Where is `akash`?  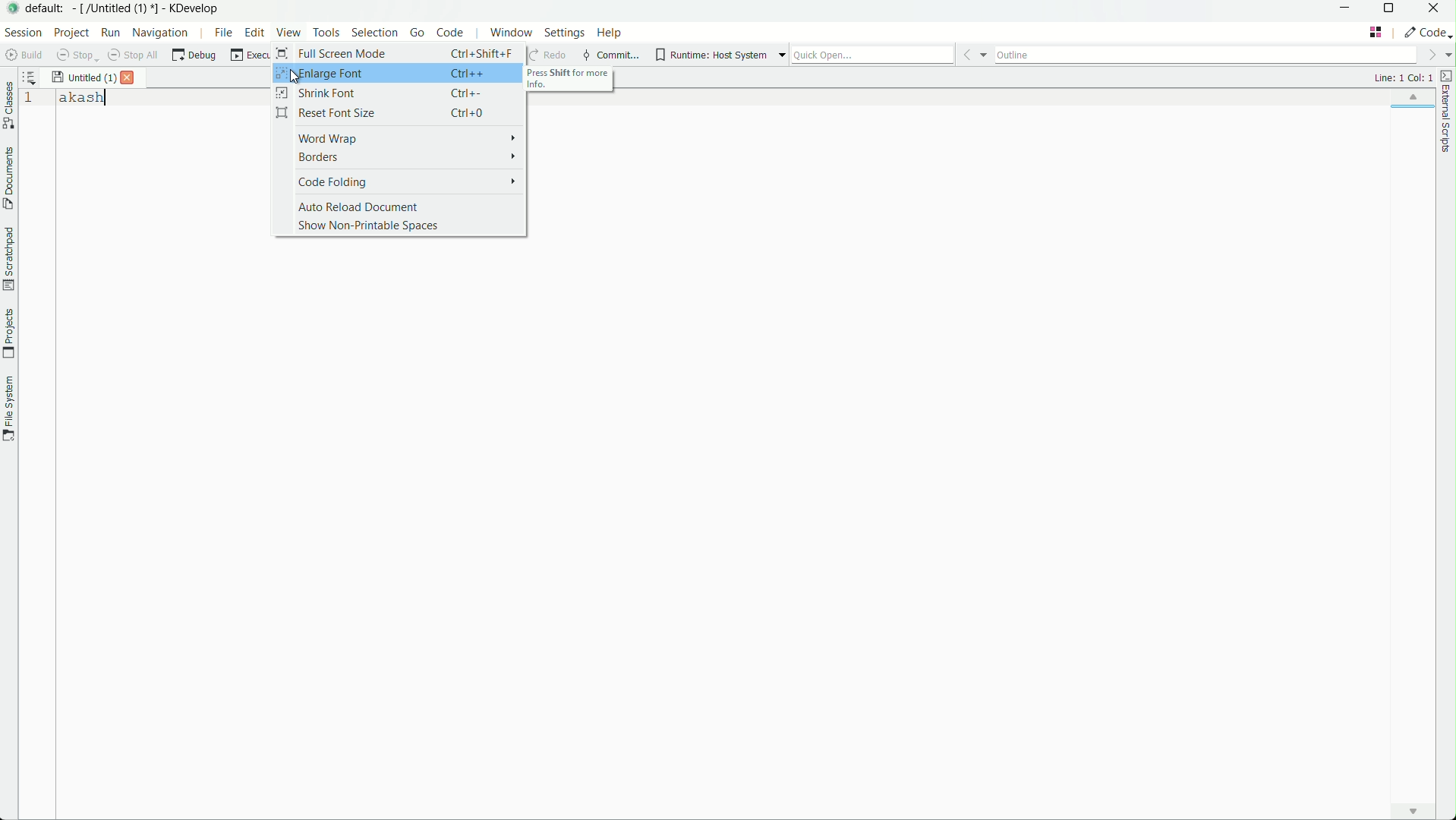
akash is located at coordinates (86, 98).